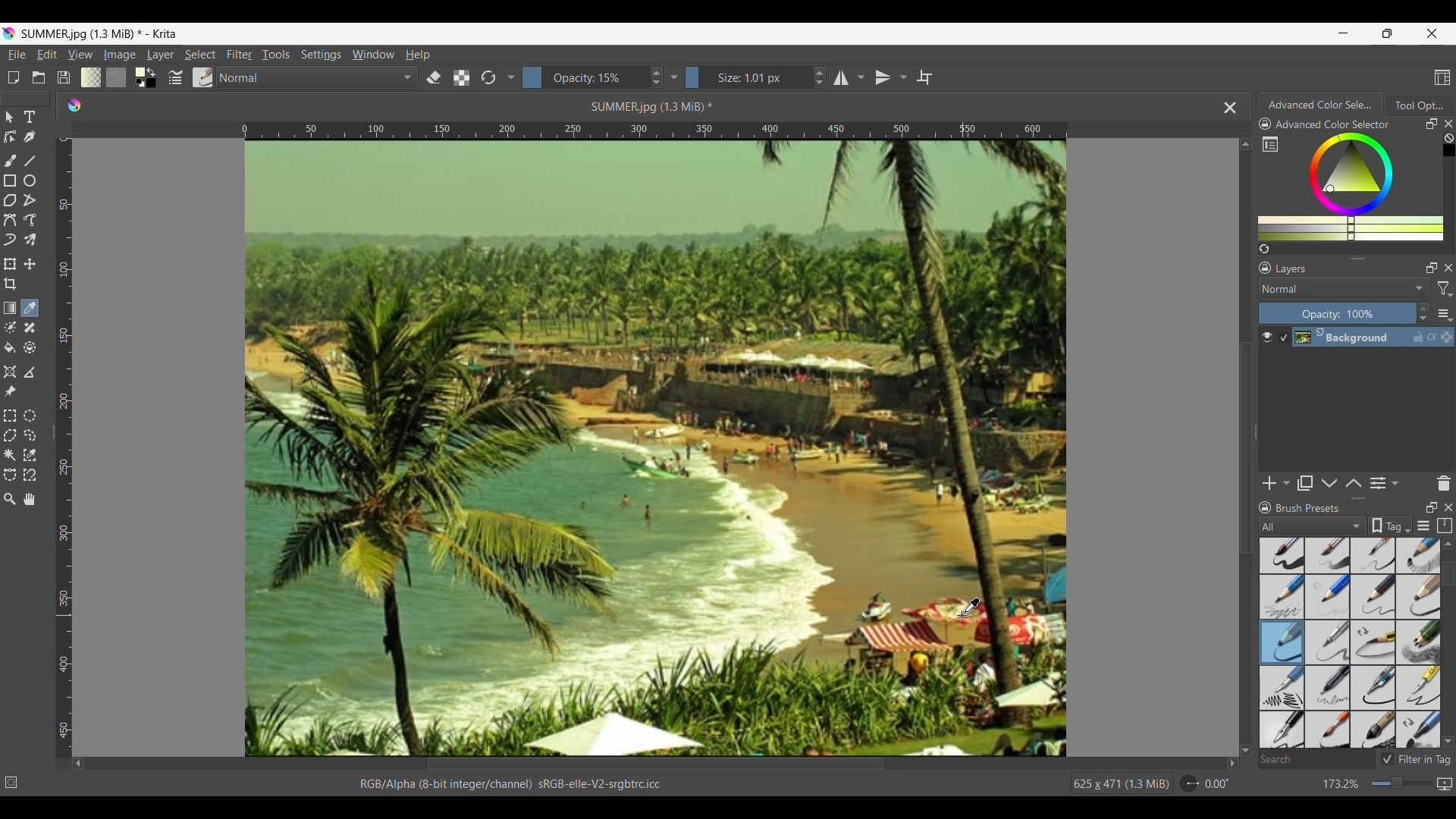 The height and width of the screenshot is (819, 1456). Describe the element at coordinates (9, 500) in the screenshot. I see `Zoom tool` at that location.